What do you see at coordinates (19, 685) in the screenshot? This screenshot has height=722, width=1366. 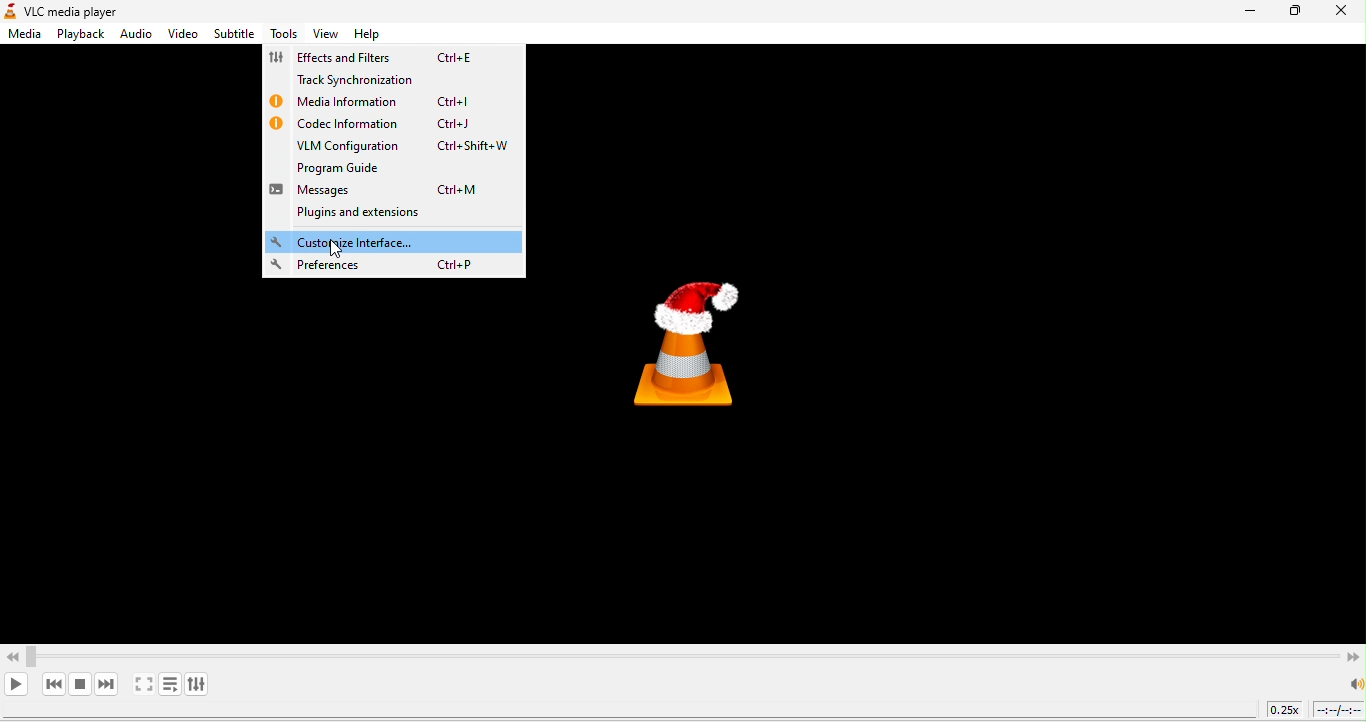 I see `play` at bounding box center [19, 685].